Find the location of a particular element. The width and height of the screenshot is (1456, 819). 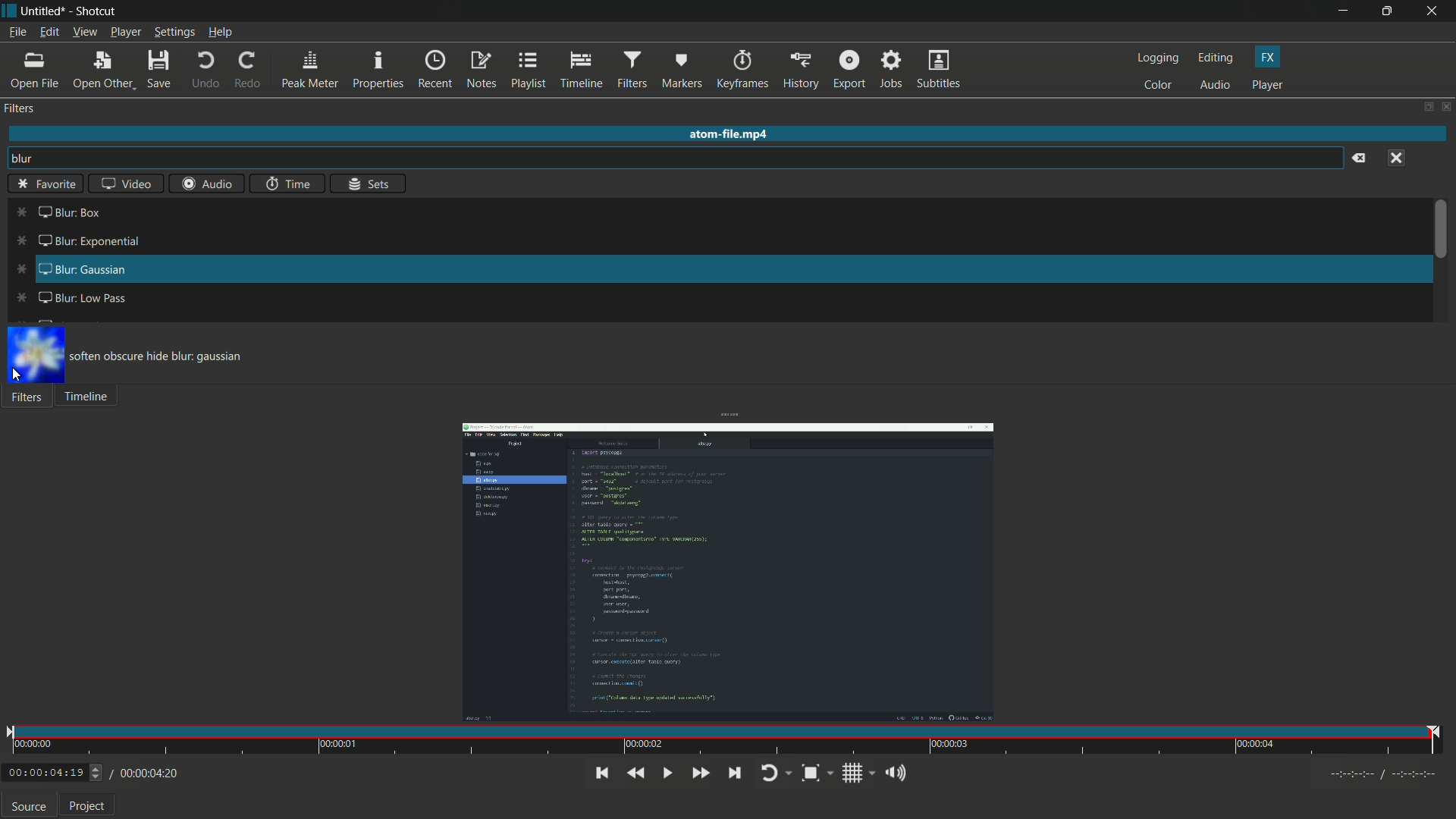

skip to the next point is located at coordinates (739, 773).